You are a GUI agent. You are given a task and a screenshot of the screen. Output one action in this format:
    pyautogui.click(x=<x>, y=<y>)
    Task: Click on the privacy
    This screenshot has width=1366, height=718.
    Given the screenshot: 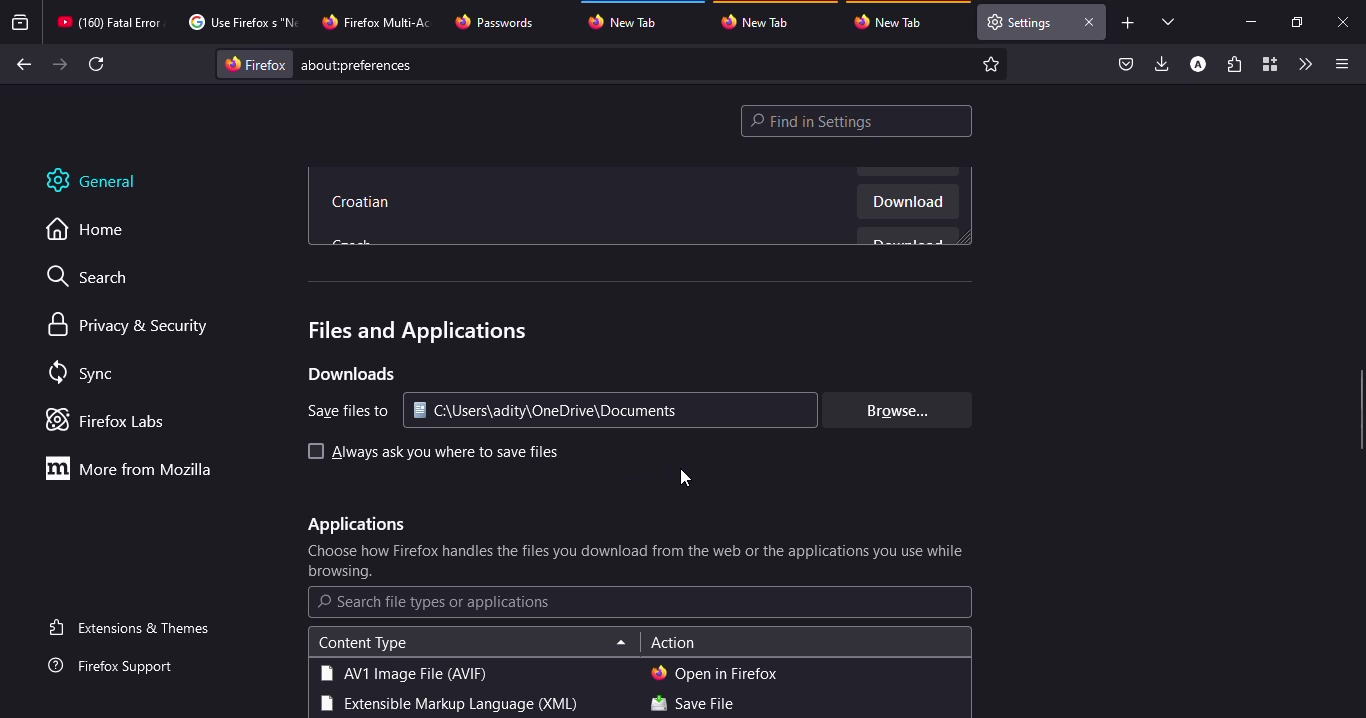 What is the action you would take?
    pyautogui.click(x=131, y=326)
    